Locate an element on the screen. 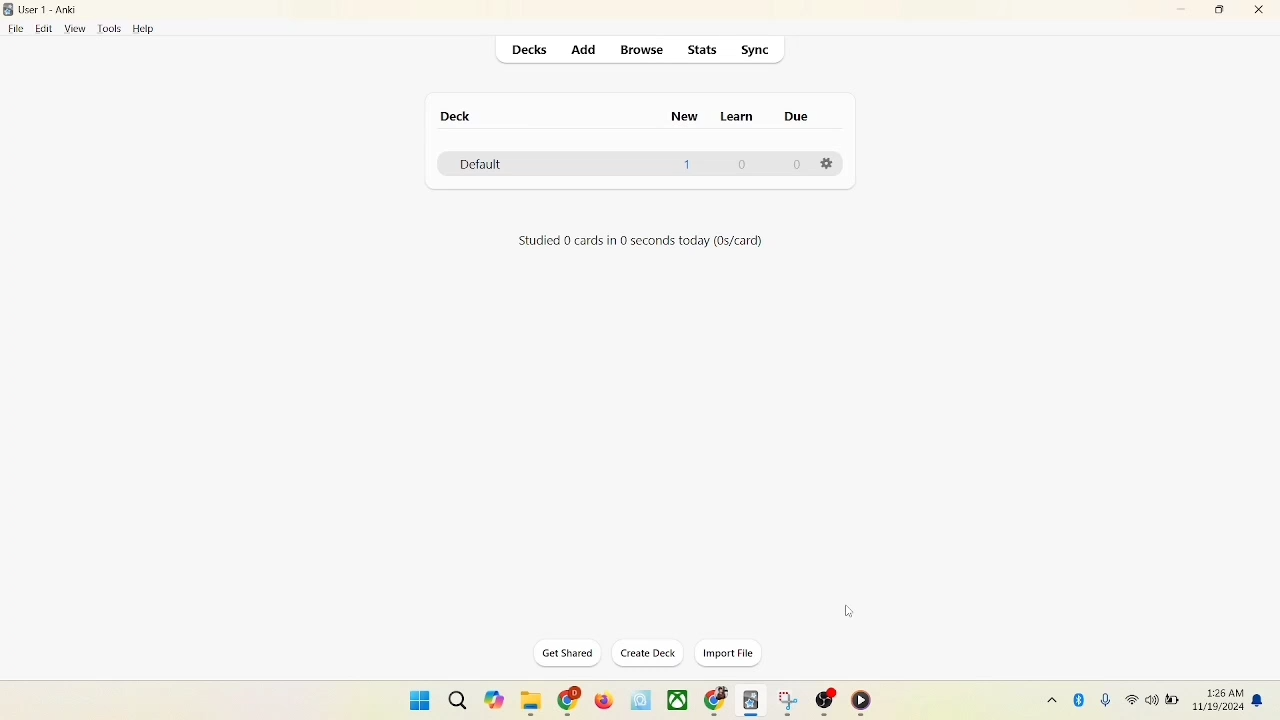 The width and height of the screenshot is (1280, 720). applications is located at coordinates (678, 701).